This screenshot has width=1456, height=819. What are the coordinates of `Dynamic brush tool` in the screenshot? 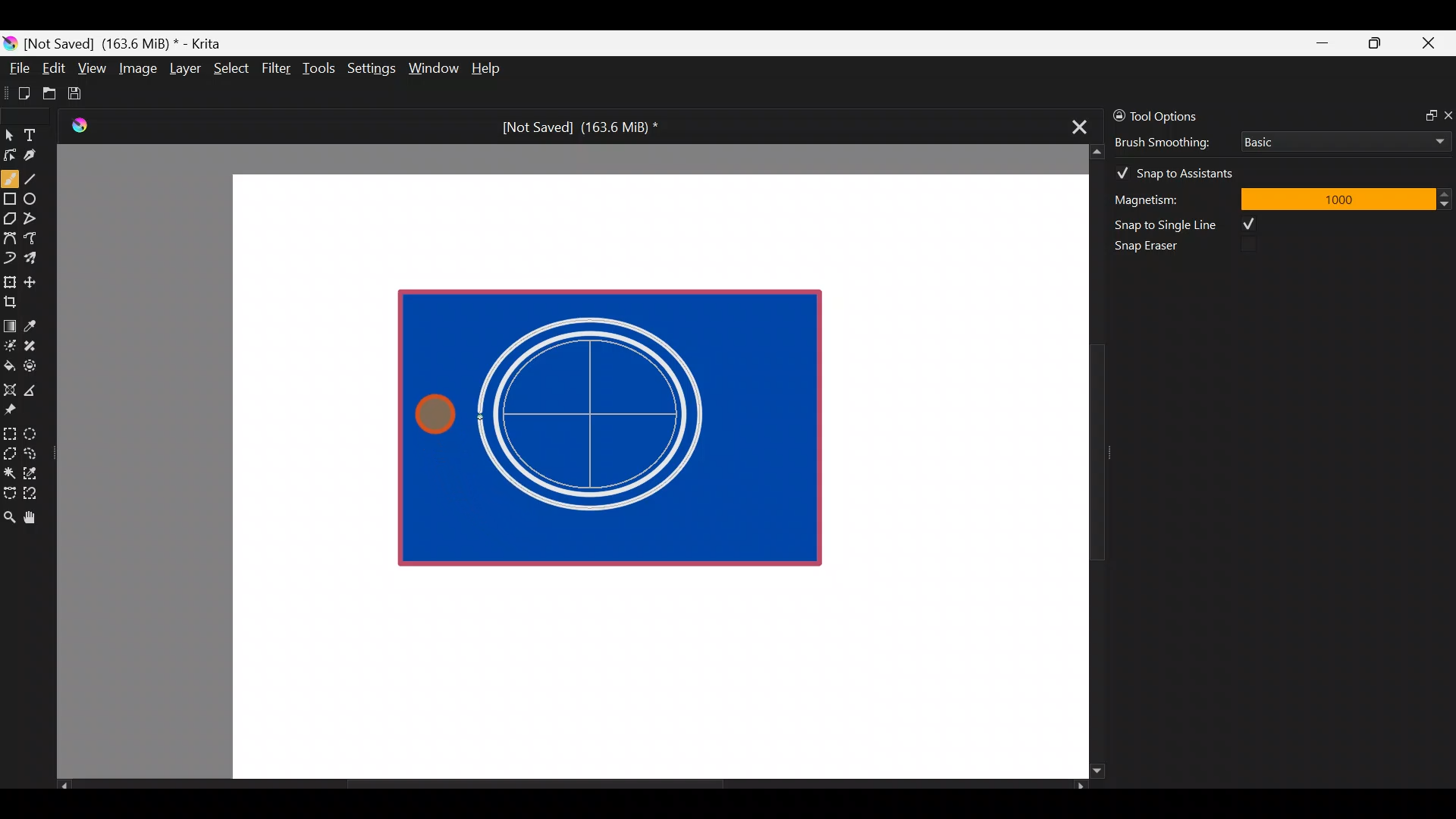 It's located at (11, 258).